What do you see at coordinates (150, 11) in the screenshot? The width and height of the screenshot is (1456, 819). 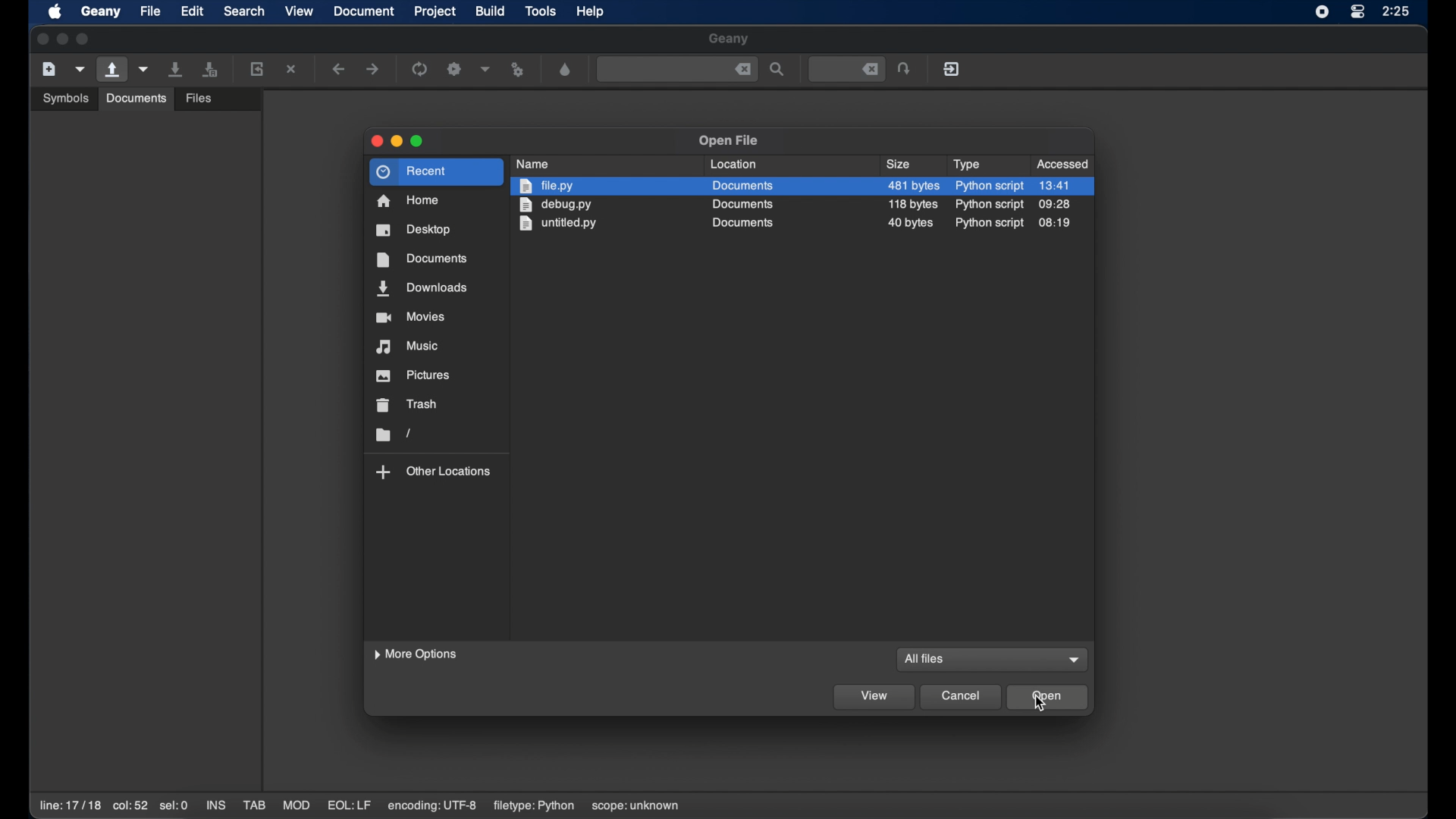 I see `file` at bounding box center [150, 11].